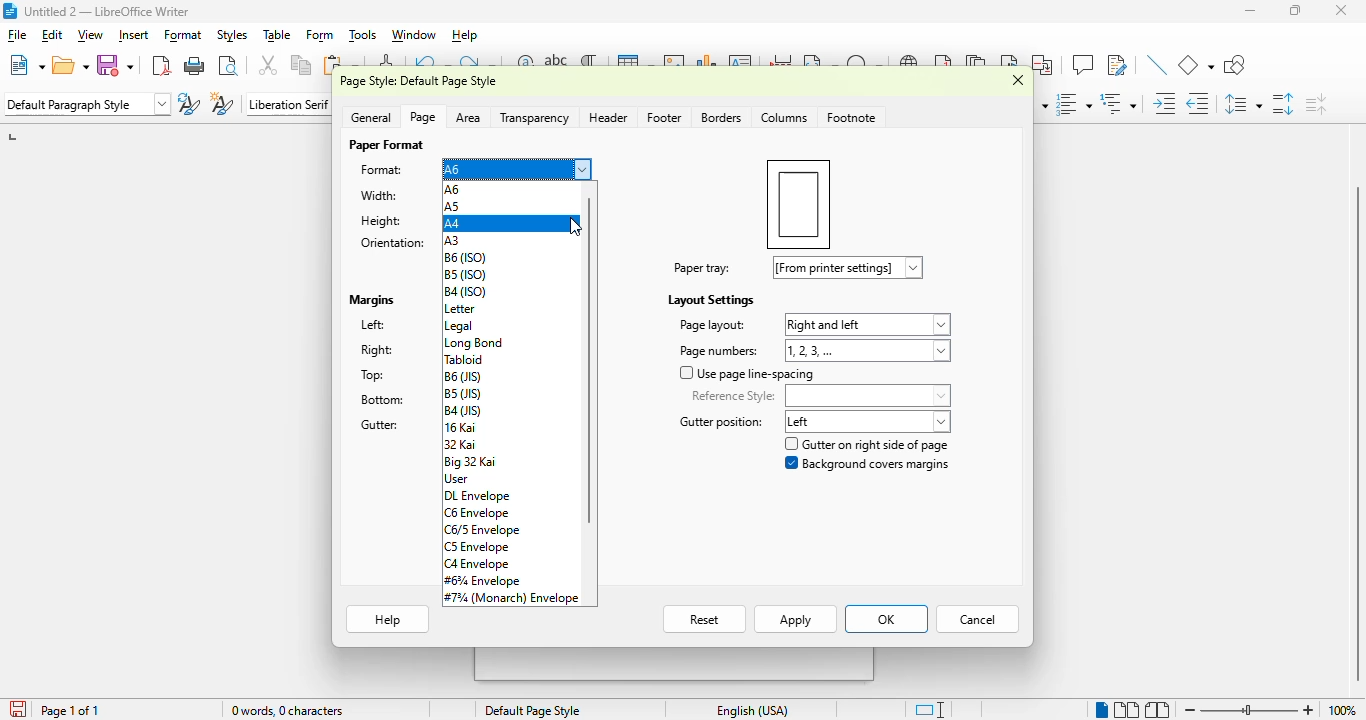 Image resolution: width=1366 pixels, height=720 pixels. Describe the element at coordinates (663, 117) in the screenshot. I see `footer` at that location.